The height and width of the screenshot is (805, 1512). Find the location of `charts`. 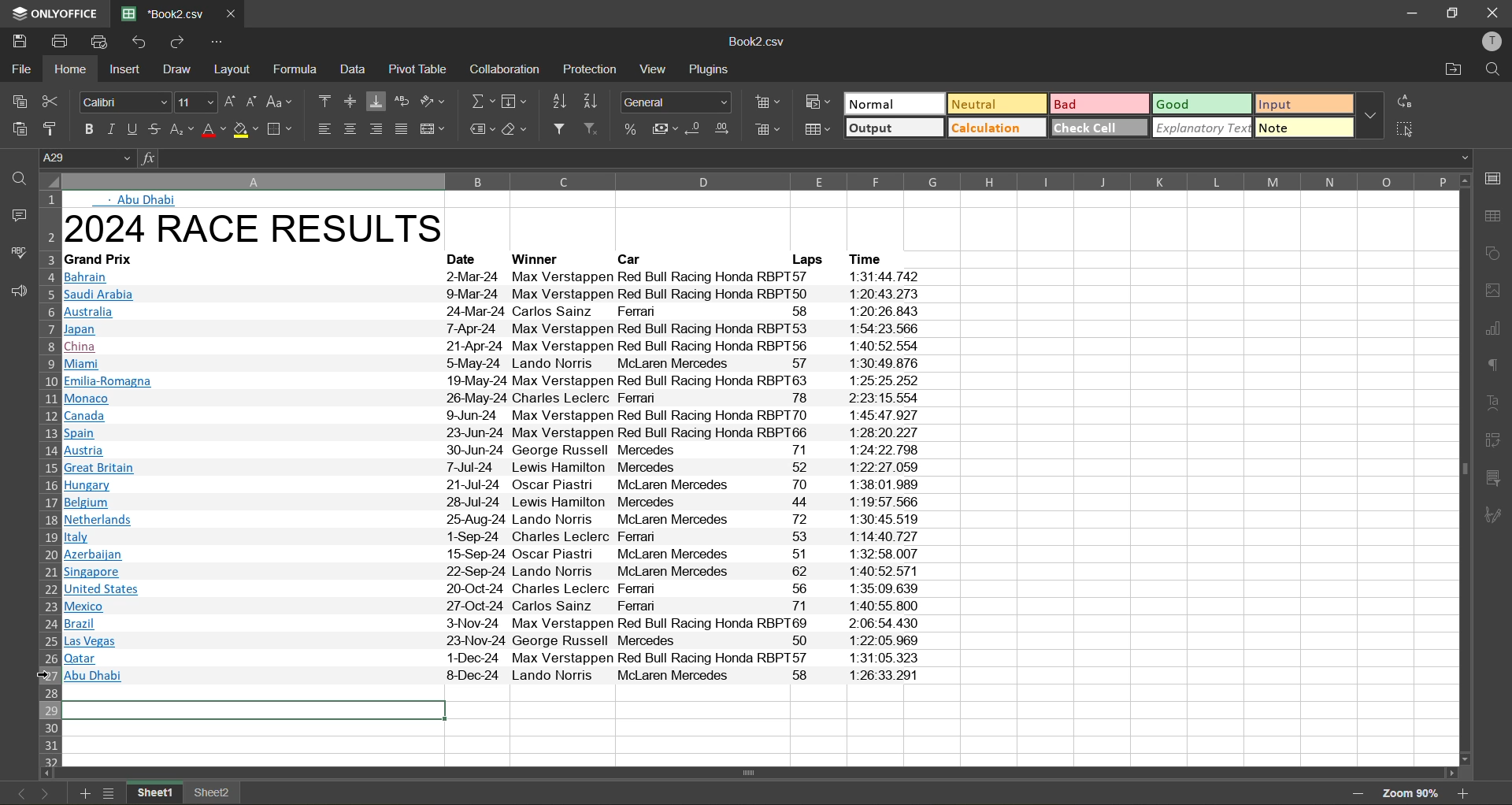

charts is located at coordinates (1494, 329).